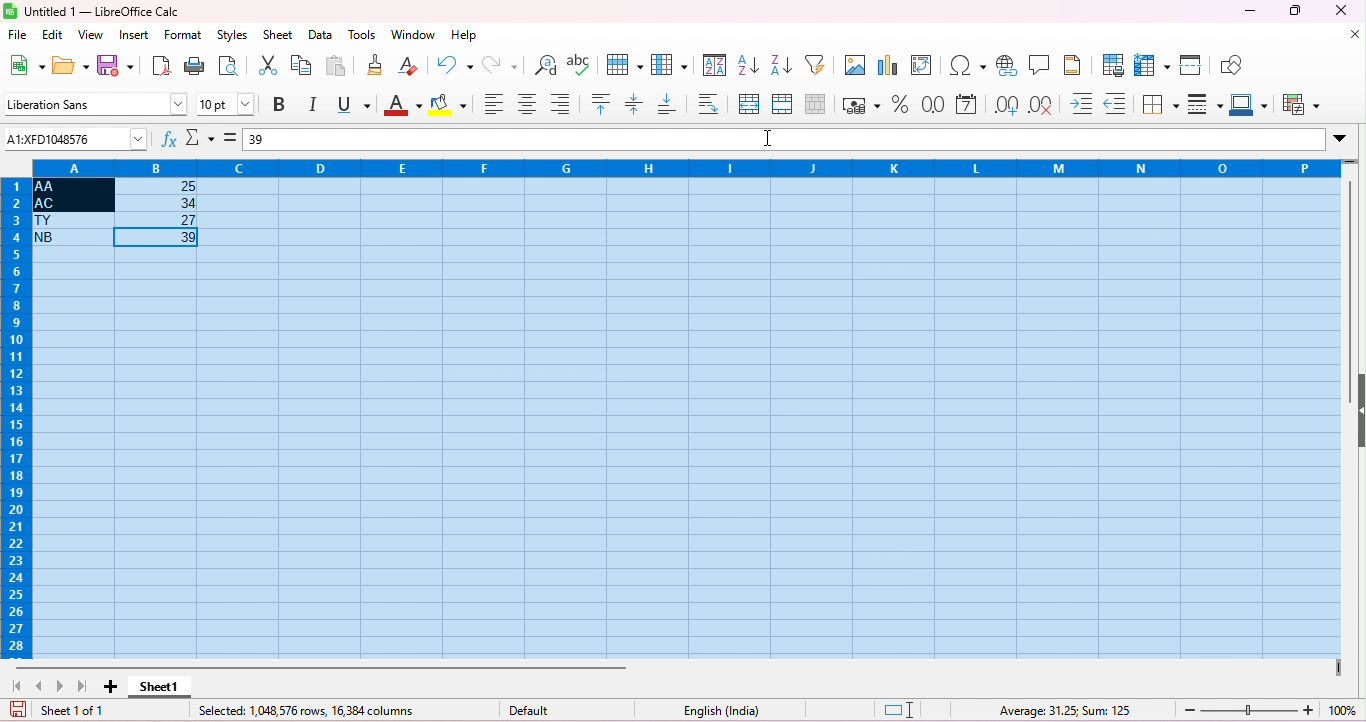 The height and width of the screenshot is (722, 1366). What do you see at coordinates (1351, 162) in the screenshot?
I see `drag to view rows` at bounding box center [1351, 162].